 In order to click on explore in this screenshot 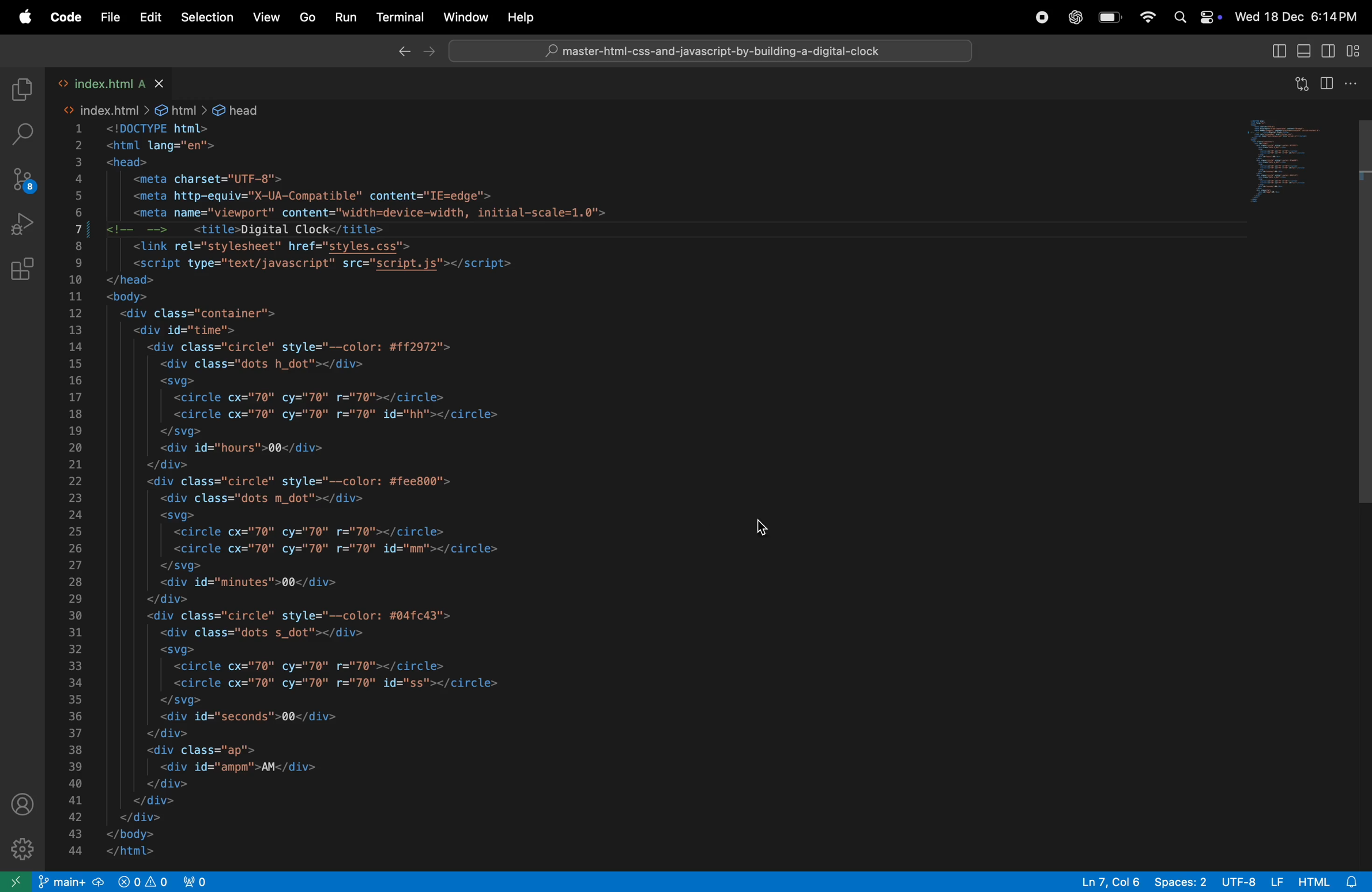, I will do `click(21, 90)`.